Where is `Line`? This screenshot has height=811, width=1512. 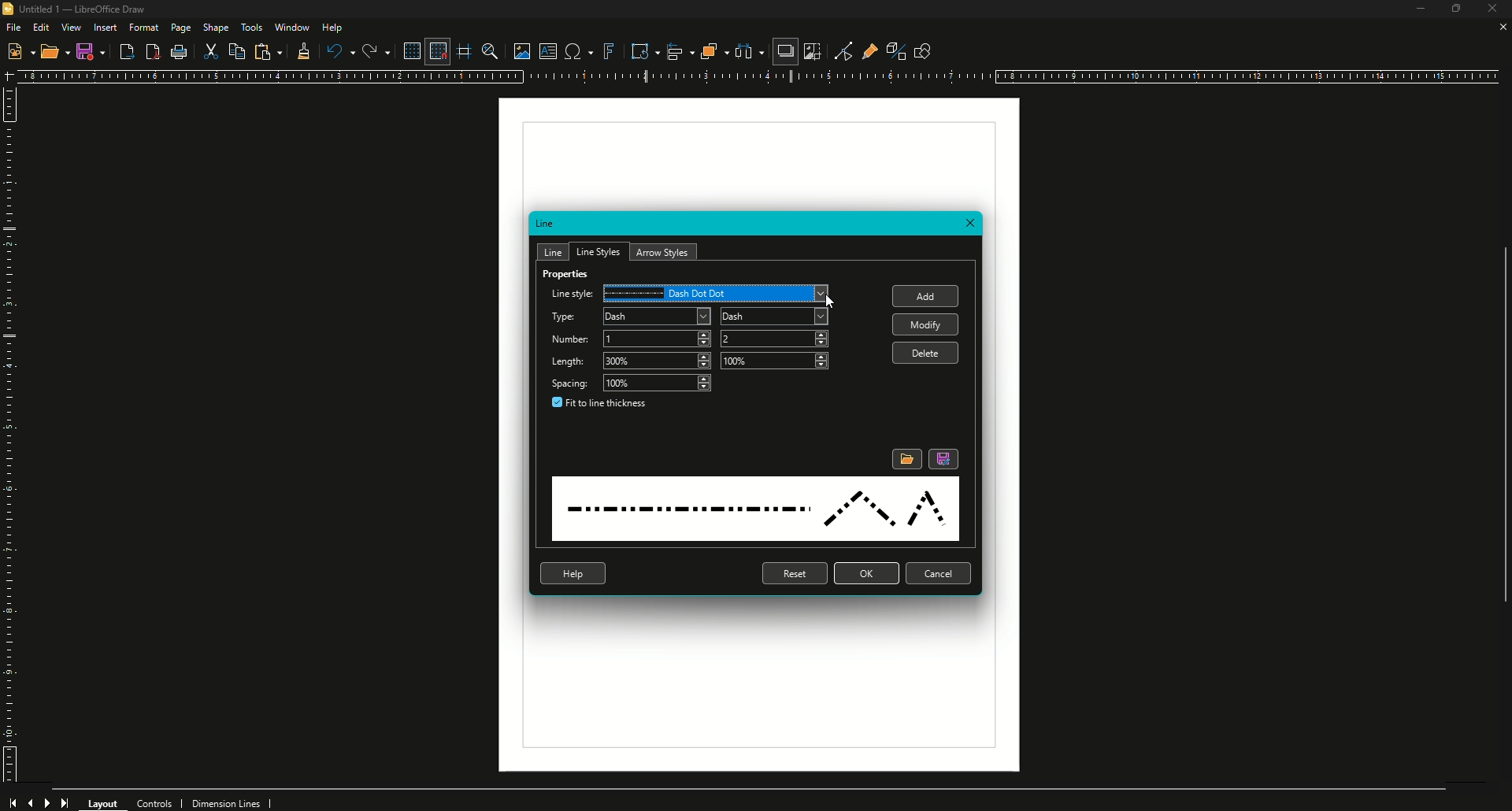
Line is located at coordinates (547, 224).